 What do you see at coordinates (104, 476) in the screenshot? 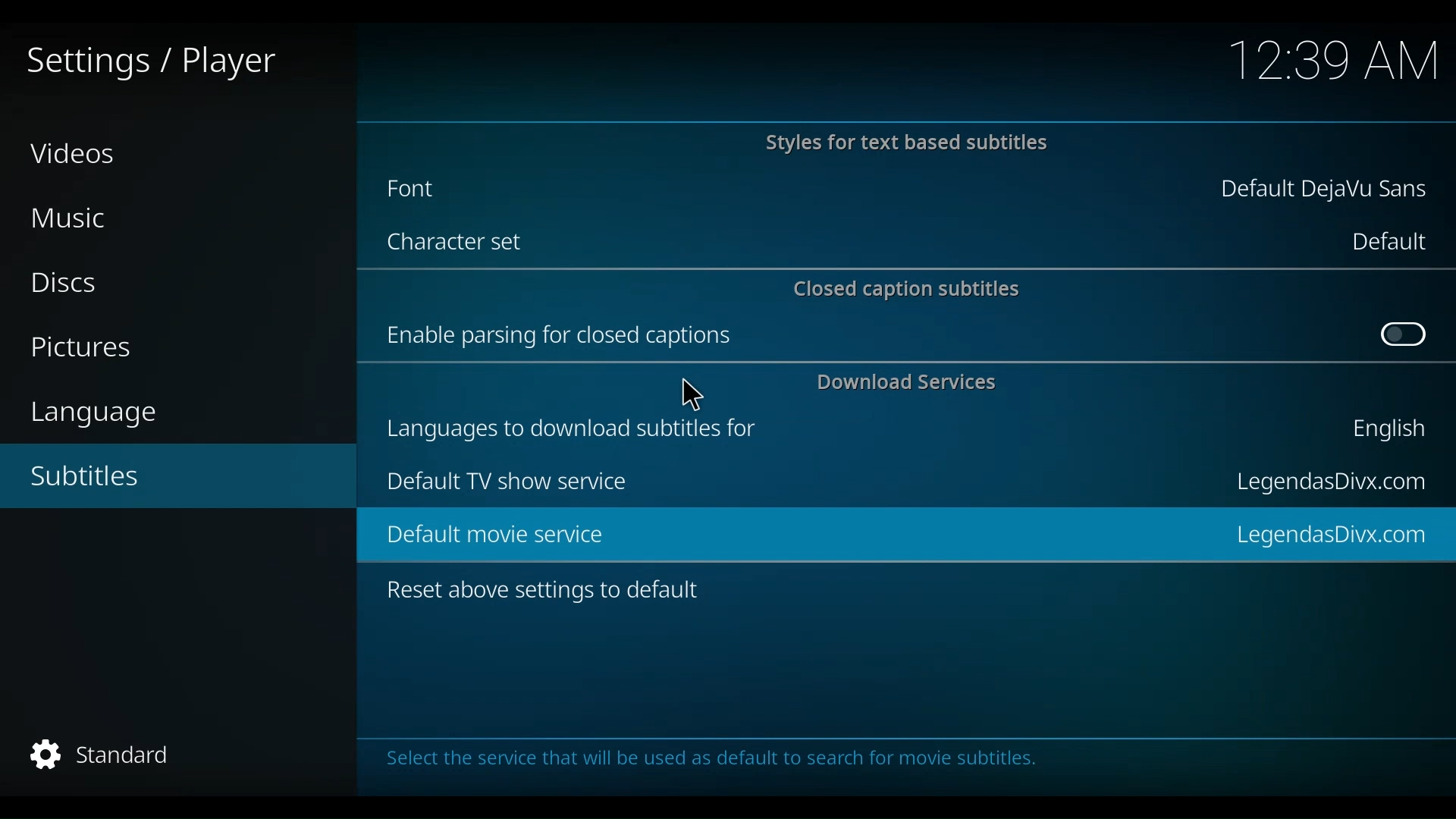
I see `Subtitles` at bounding box center [104, 476].